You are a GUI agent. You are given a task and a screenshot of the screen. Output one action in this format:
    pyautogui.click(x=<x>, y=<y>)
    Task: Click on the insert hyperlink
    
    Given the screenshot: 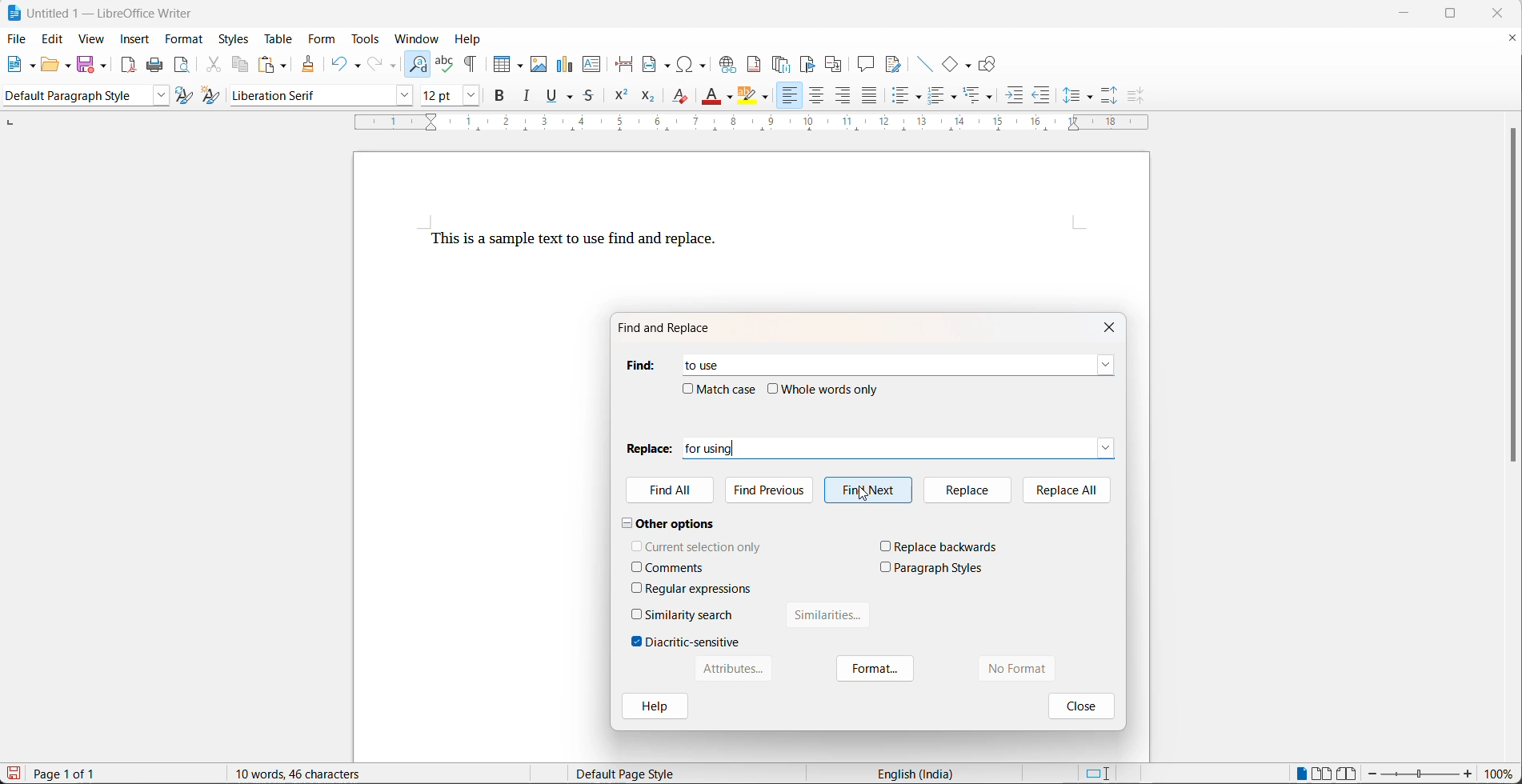 What is the action you would take?
    pyautogui.click(x=729, y=64)
    